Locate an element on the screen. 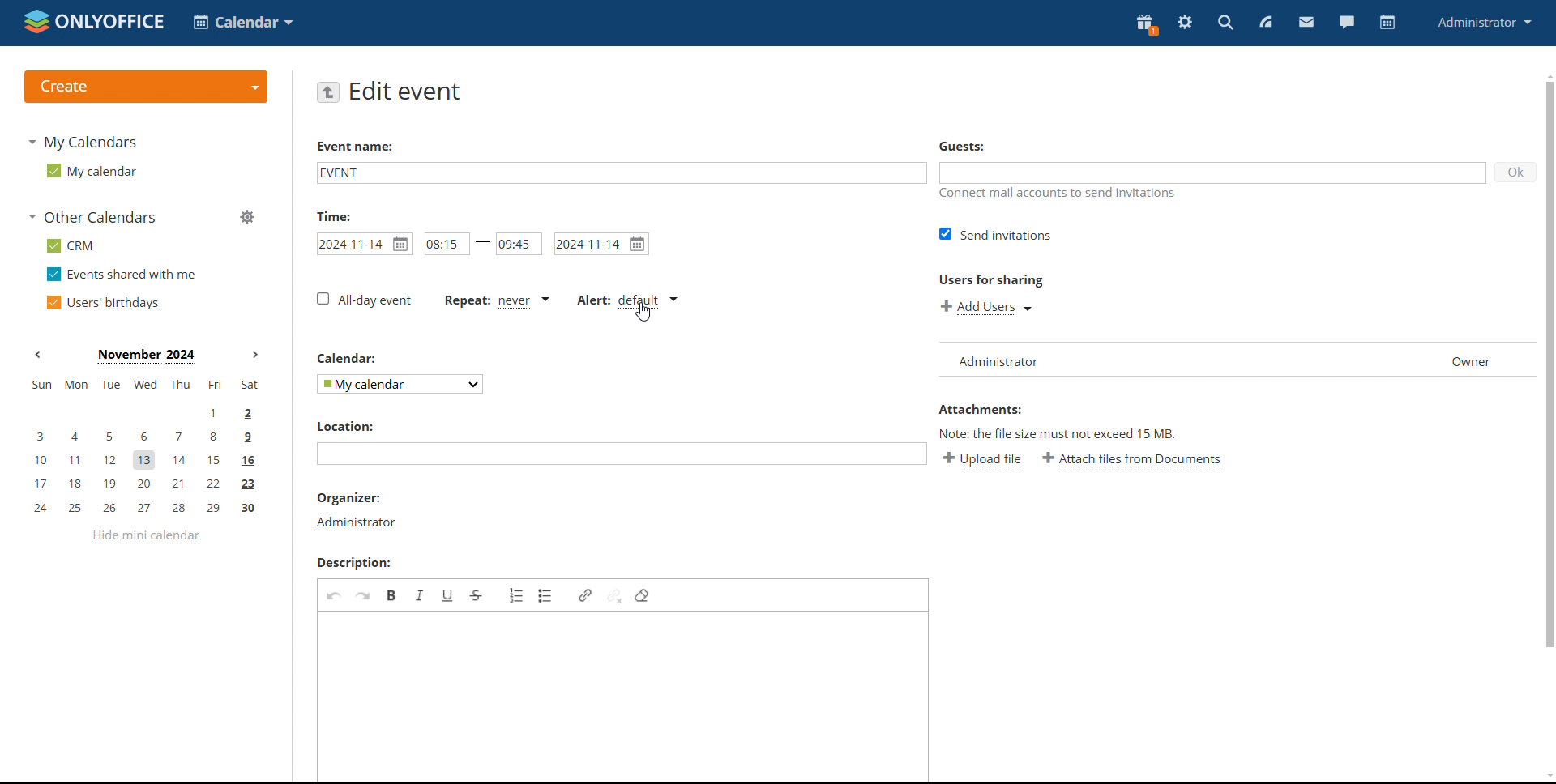 This screenshot has height=784, width=1556. hide mini calendar is located at coordinates (143, 536).